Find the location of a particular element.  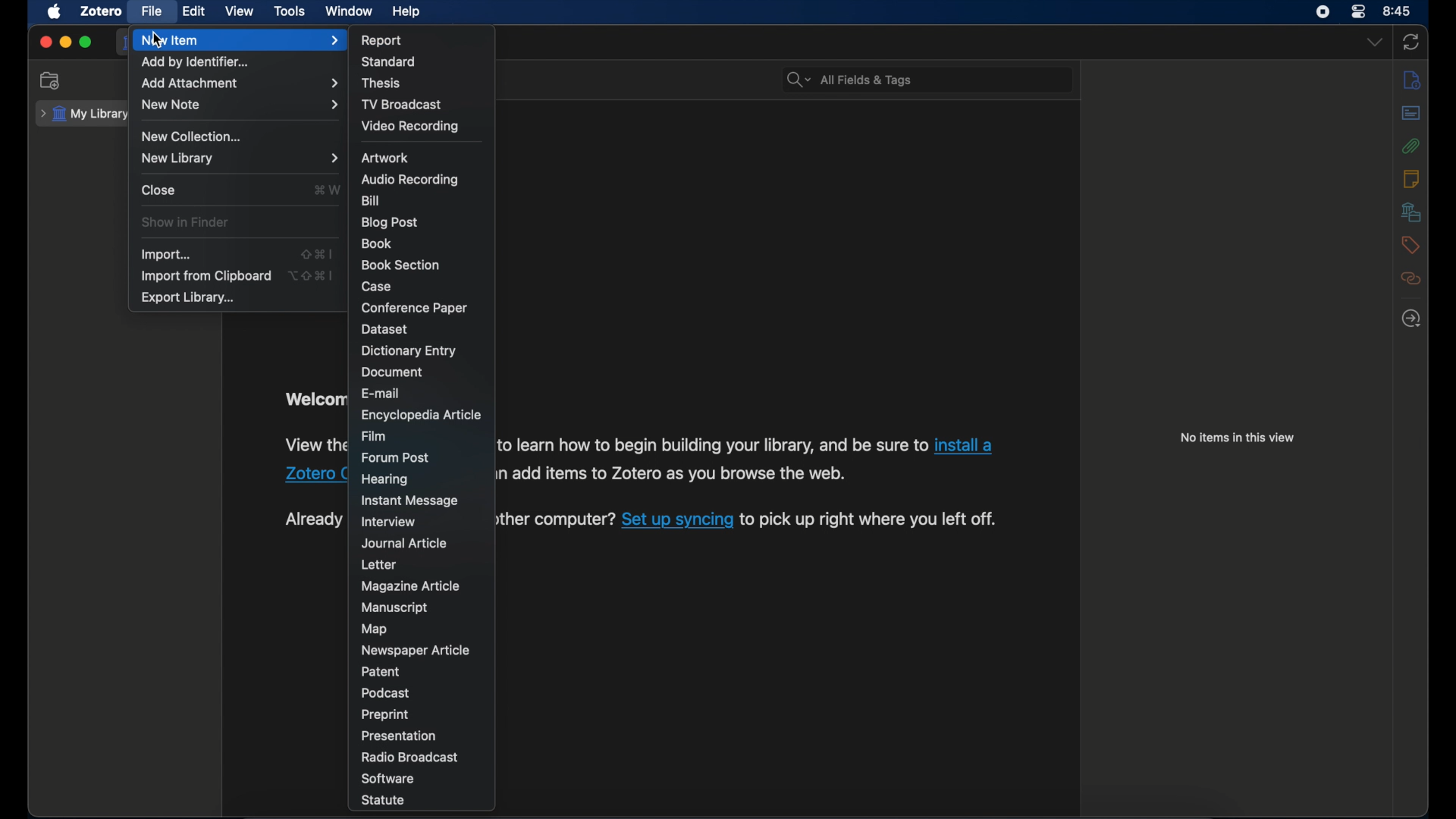

notes is located at coordinates (1411, 177).